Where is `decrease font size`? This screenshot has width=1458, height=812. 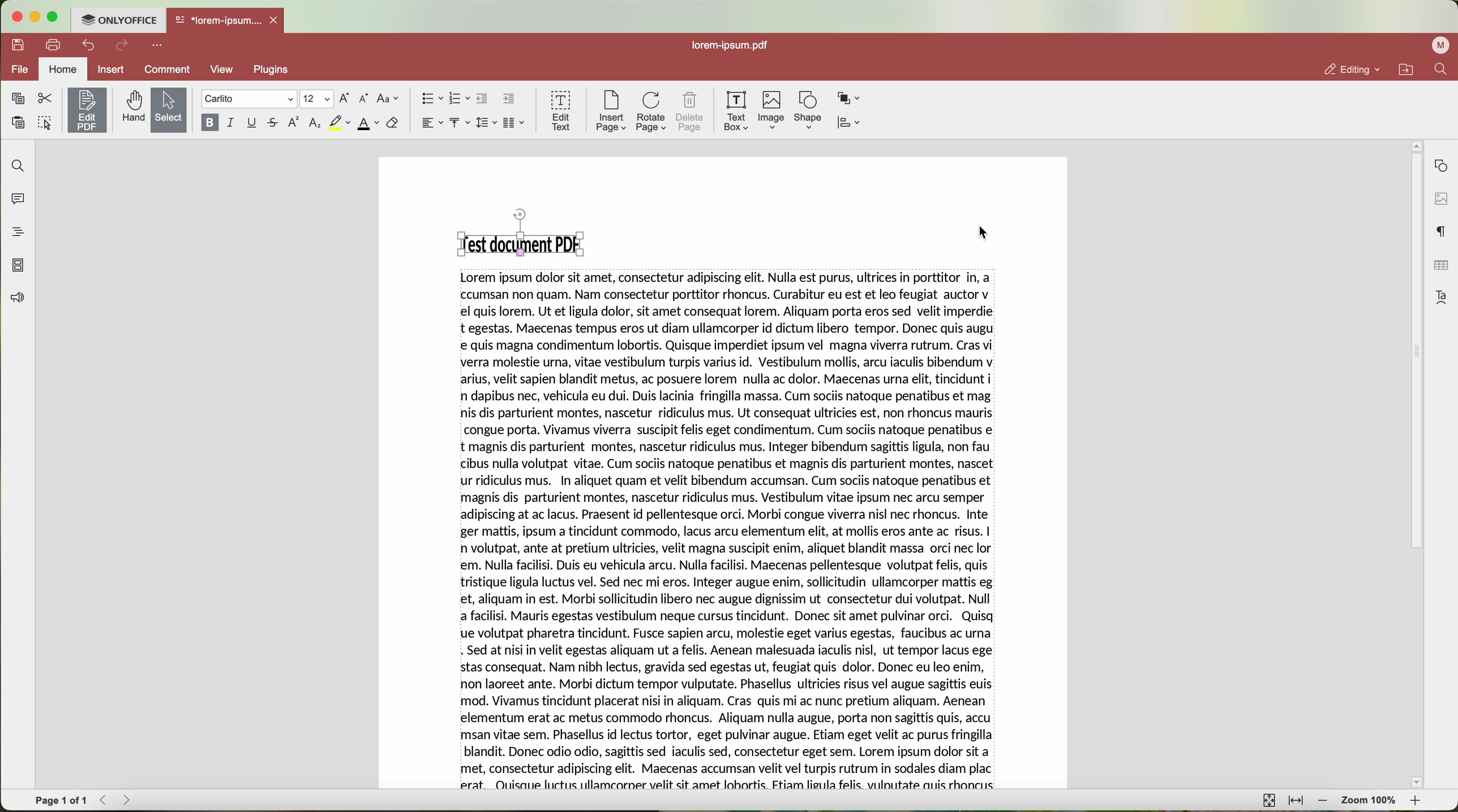 decrease font size is located at coordinates (366, 98).